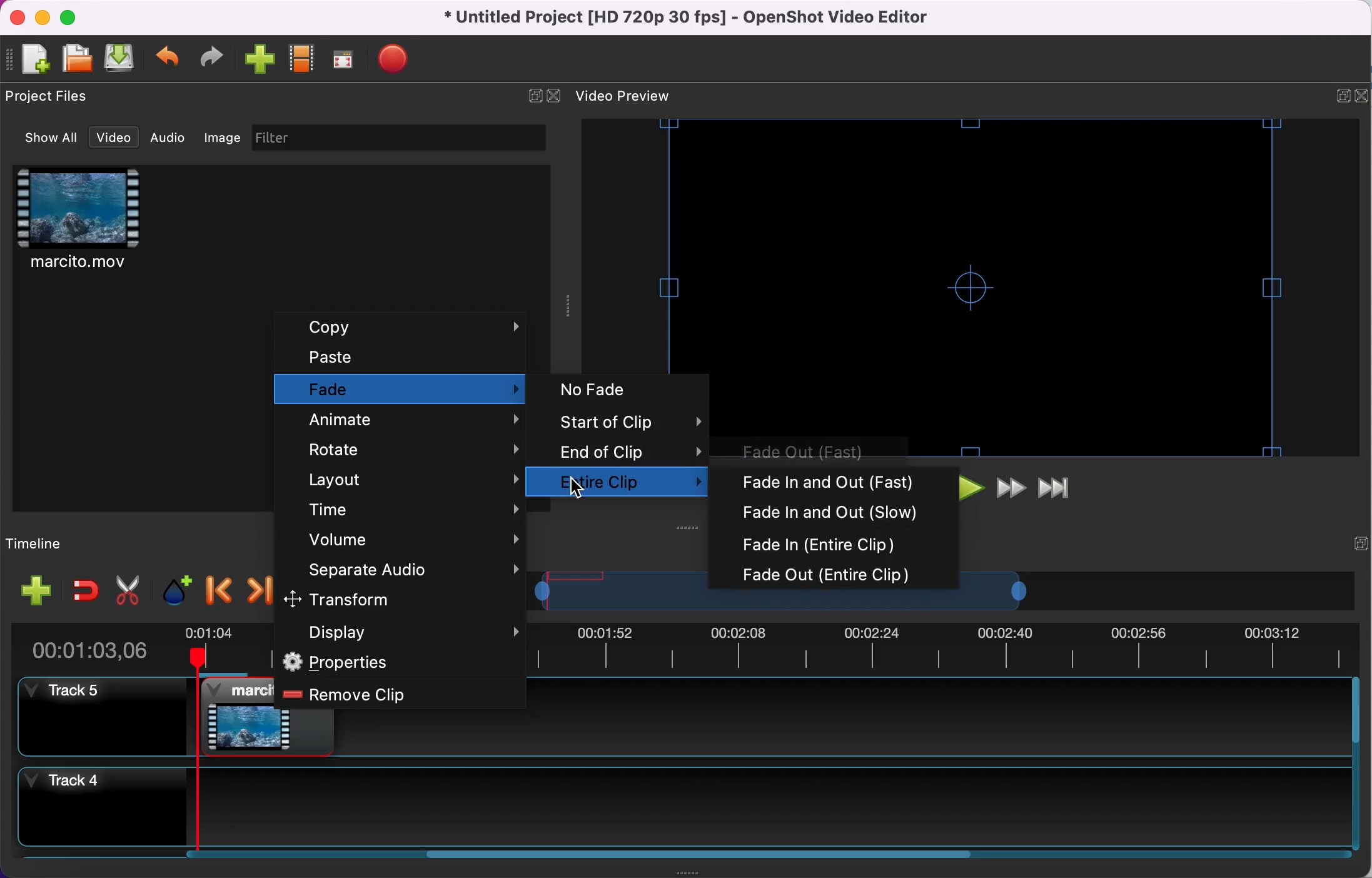 The height and width of the screenshot is (878, 1372). I want to click on duration, so click(95, 650).